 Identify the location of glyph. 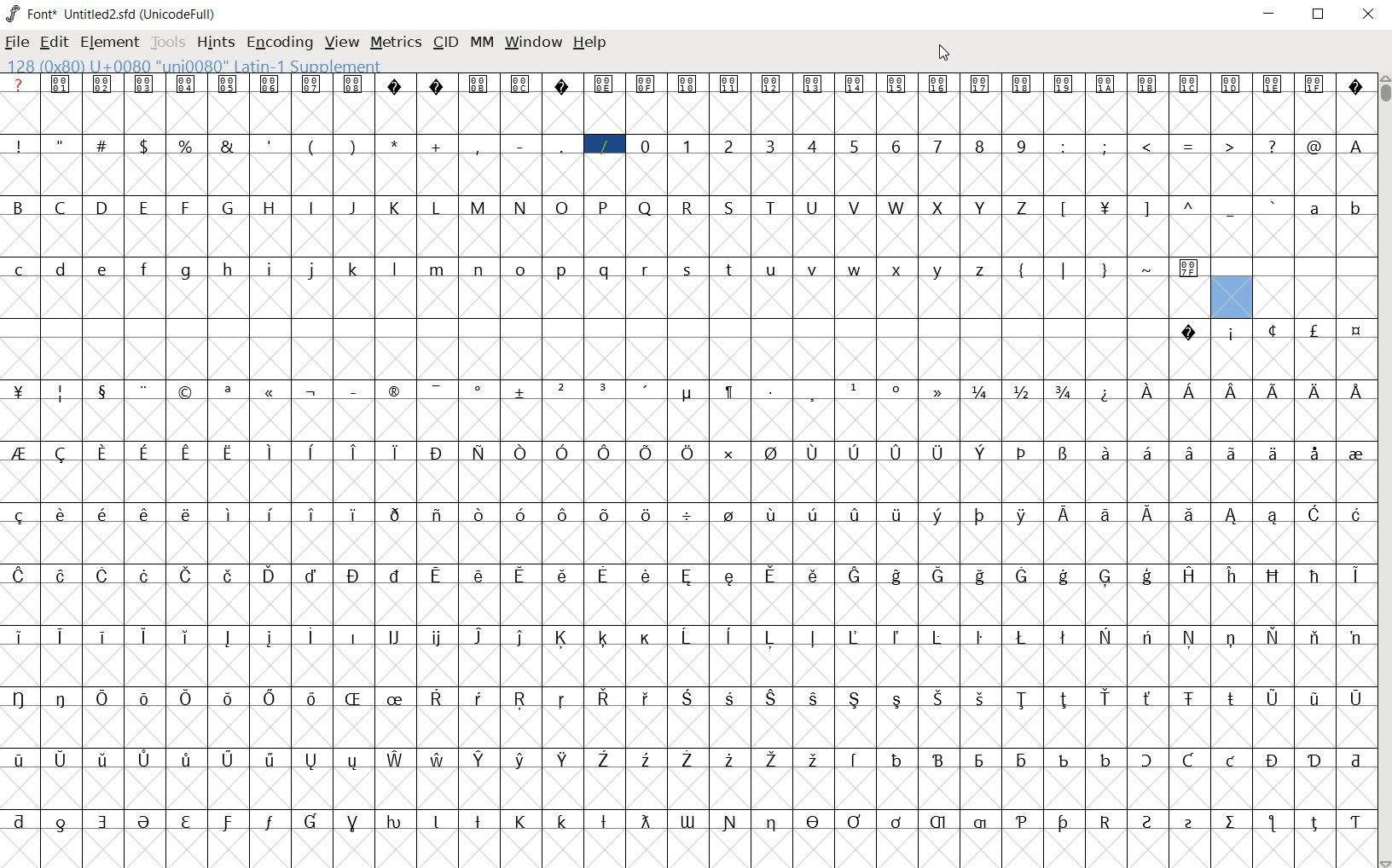
(1064, 391).